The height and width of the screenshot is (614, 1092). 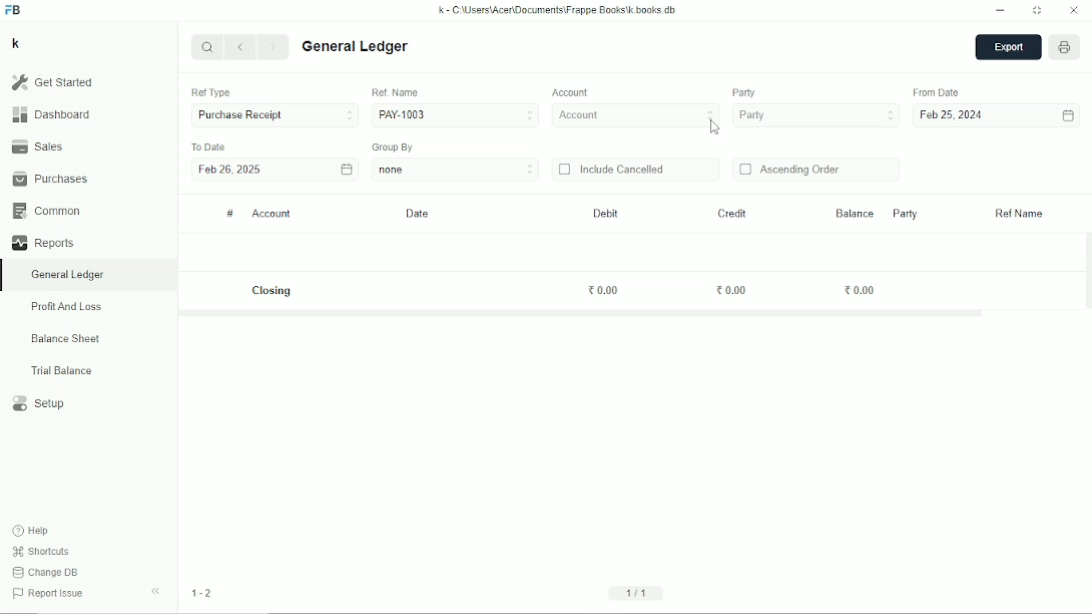 What do you see at coordinates (611, 169) in the screenshot?
I see `Include cancelled` at bounding box center [611, 169].